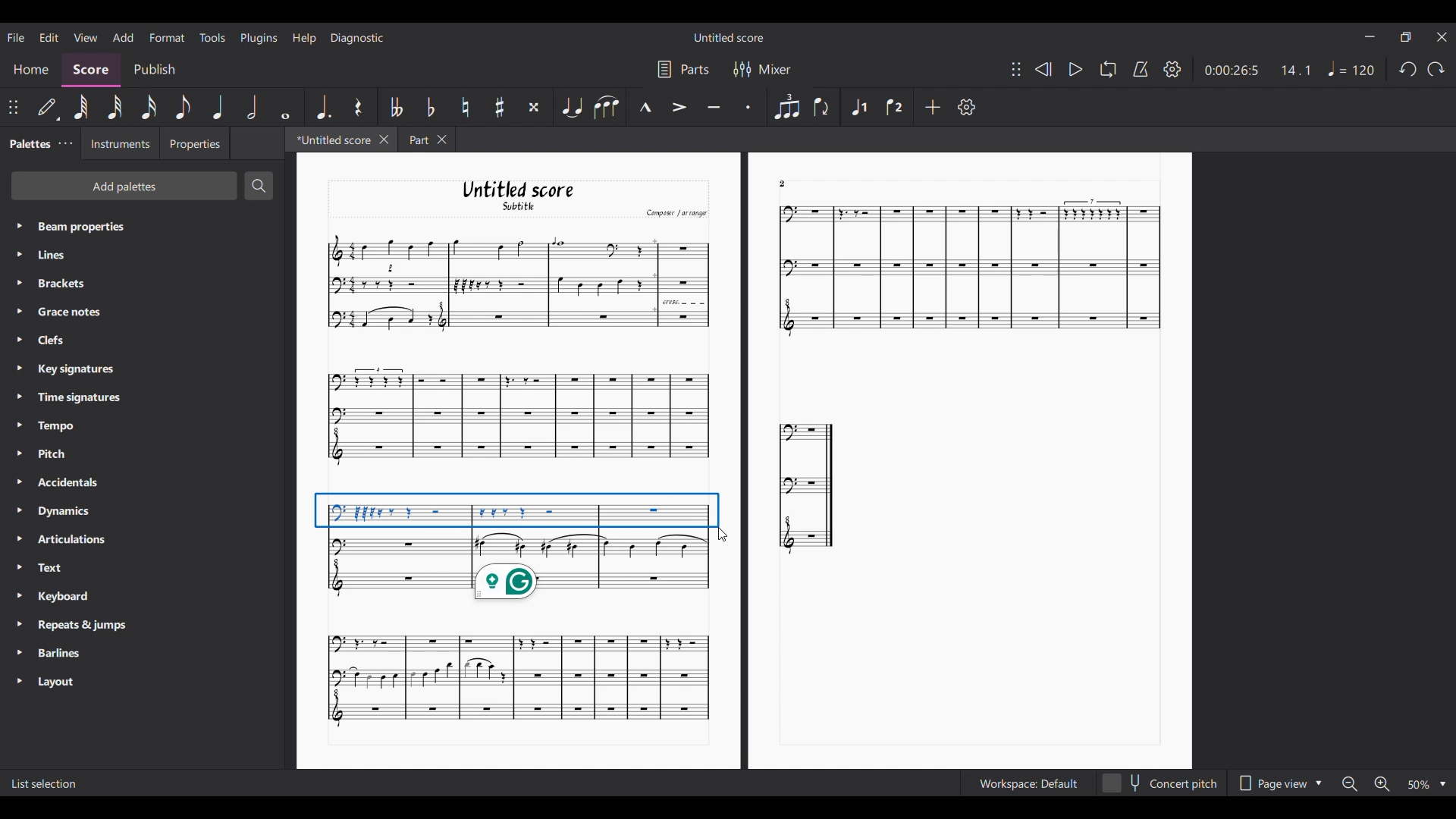 This screenshot has height=819, width=1456. Describe the element at coordinates (895, 107) in the screenshot. I see `Voice 2` at that location.